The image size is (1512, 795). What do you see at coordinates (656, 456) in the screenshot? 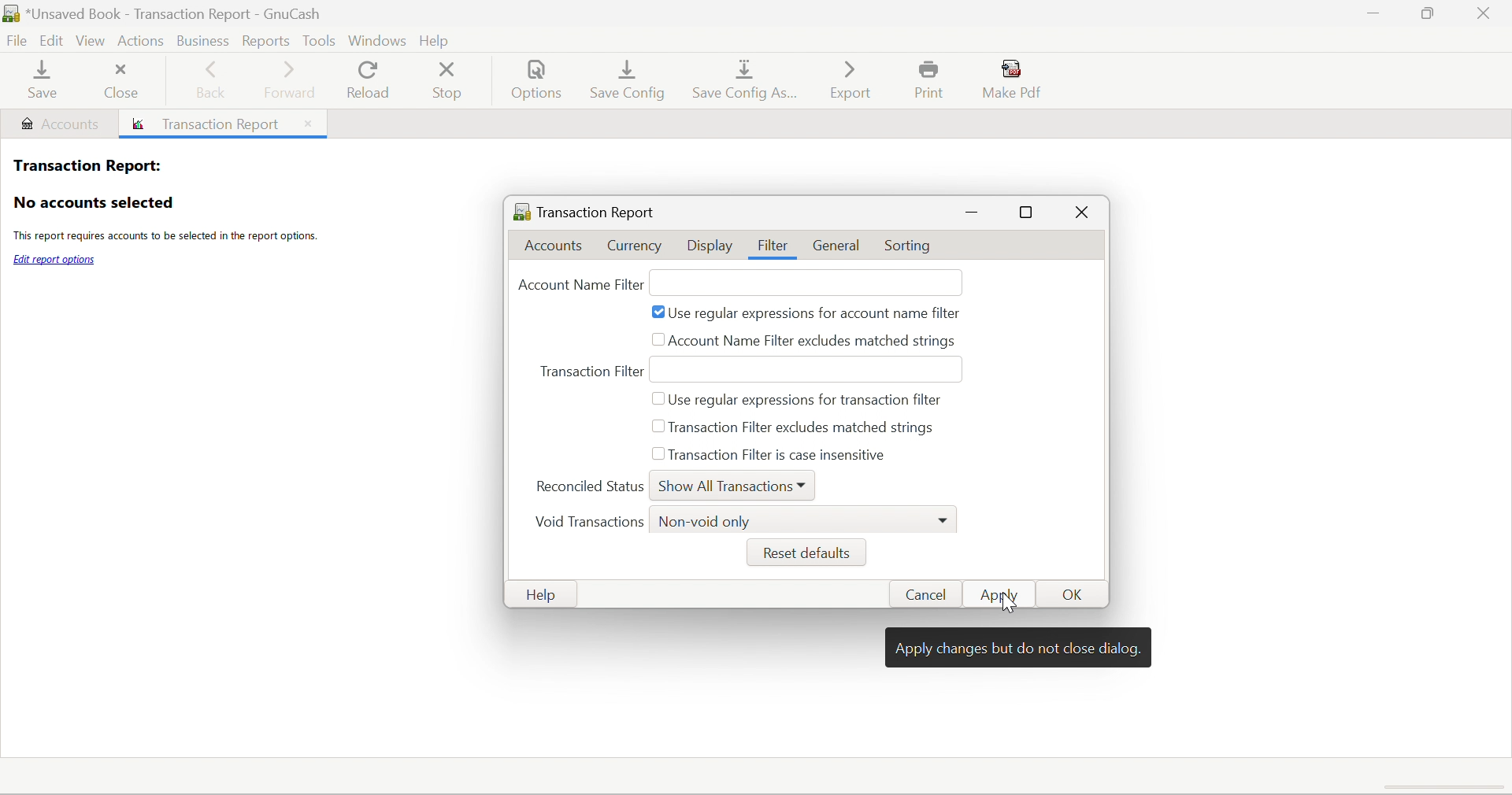
I see `Checkbox` at bounding box center [656, 456].